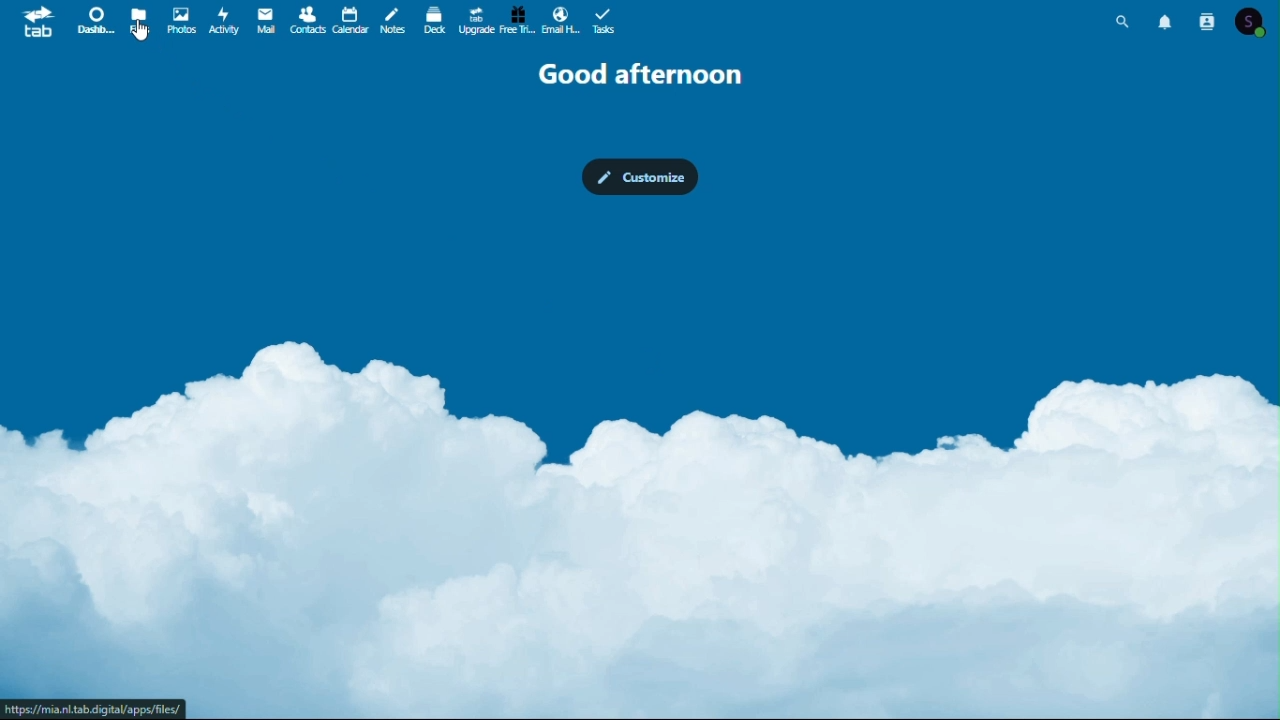  What do you see at coordinates (307, 21) in the screenshot?
I see `Contacts` at bounding box center [307, 21].